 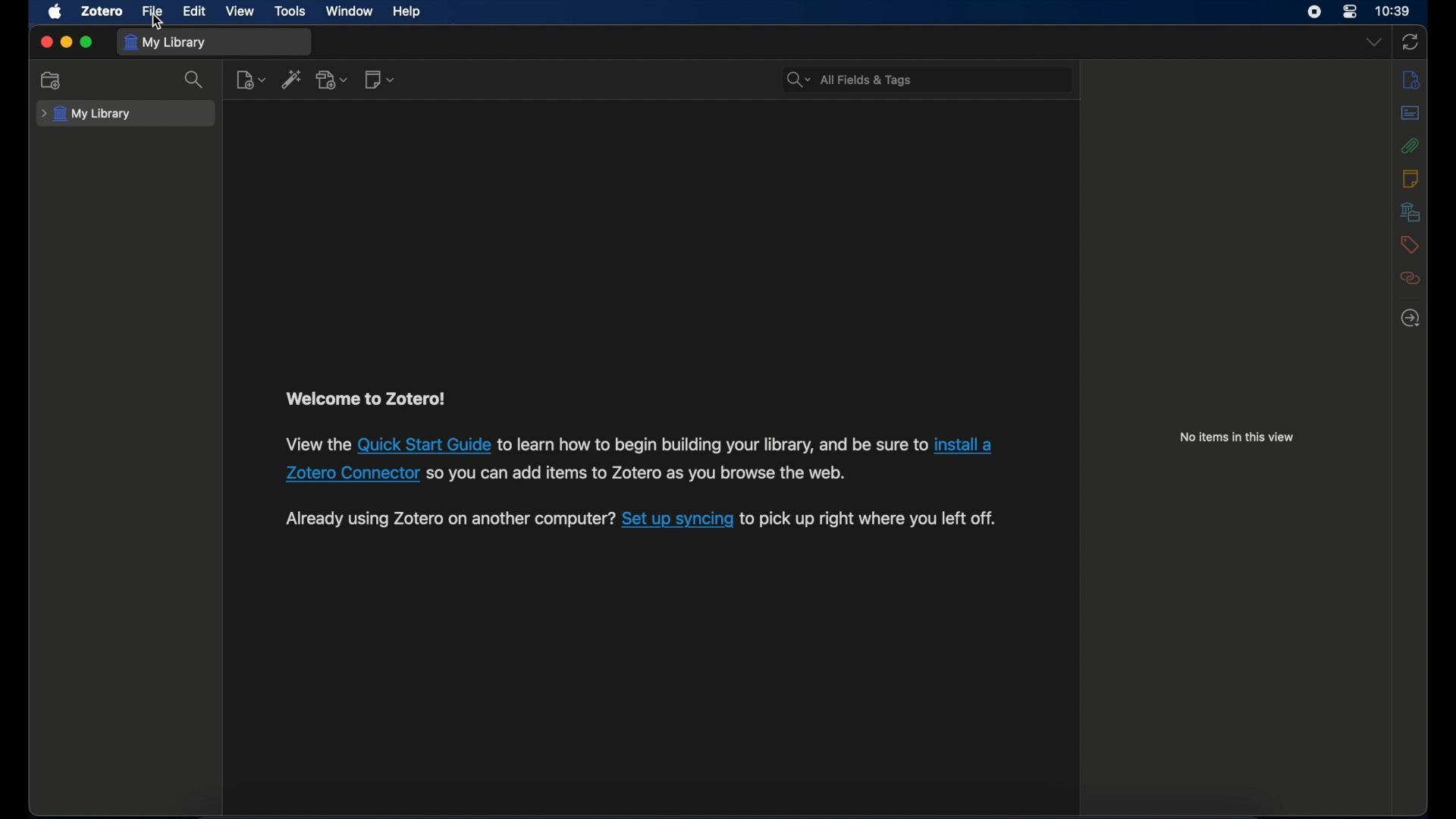 What do you see at coordinates (349, 11) in the screenshot?
I see `window` at bounding box center [349, 11].